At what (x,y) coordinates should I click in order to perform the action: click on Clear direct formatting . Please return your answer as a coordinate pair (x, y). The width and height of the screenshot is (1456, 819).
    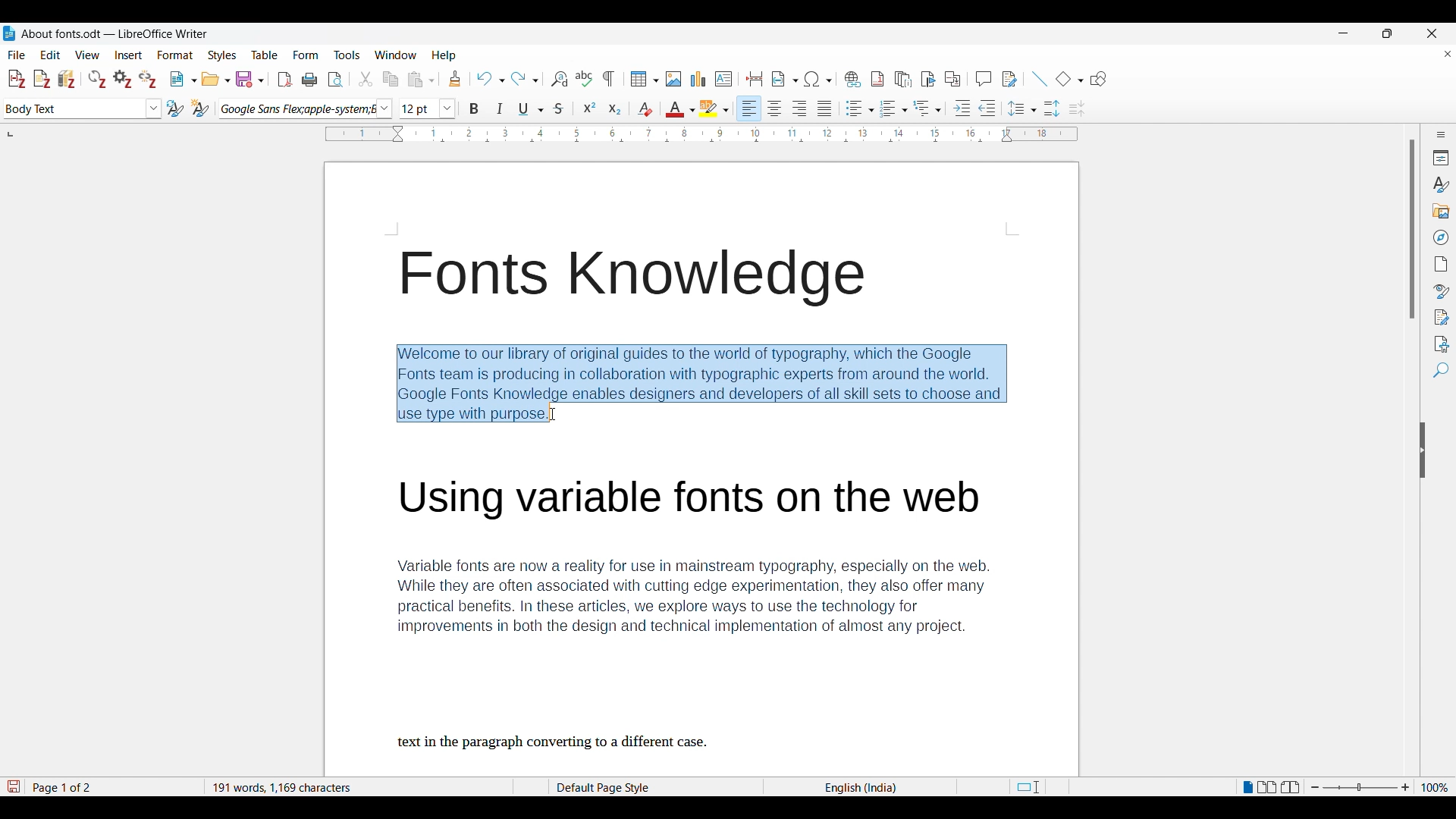
    Looking at the image, I should click on (645, 109).